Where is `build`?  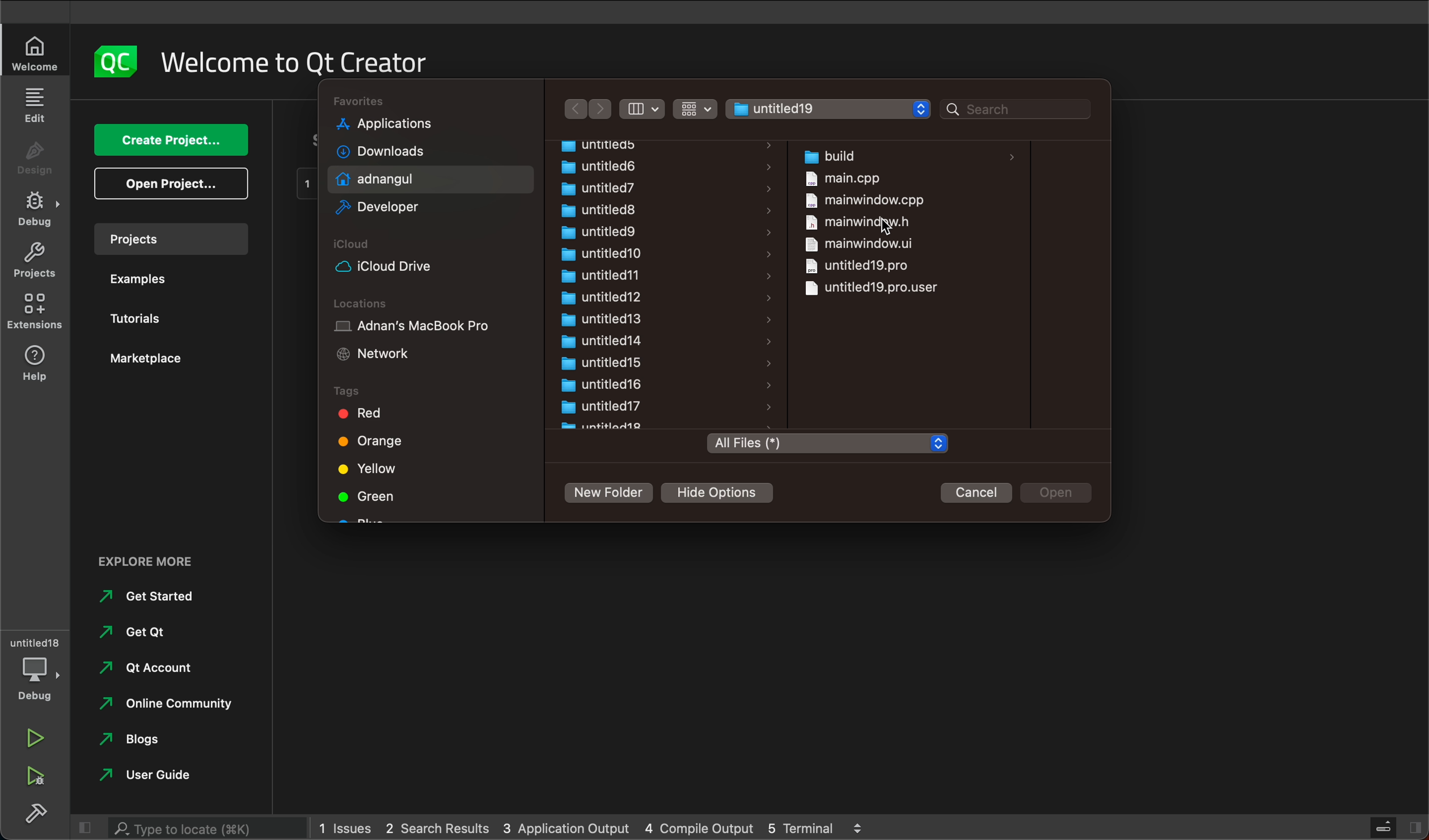
build is located at coordinates (40, 816).